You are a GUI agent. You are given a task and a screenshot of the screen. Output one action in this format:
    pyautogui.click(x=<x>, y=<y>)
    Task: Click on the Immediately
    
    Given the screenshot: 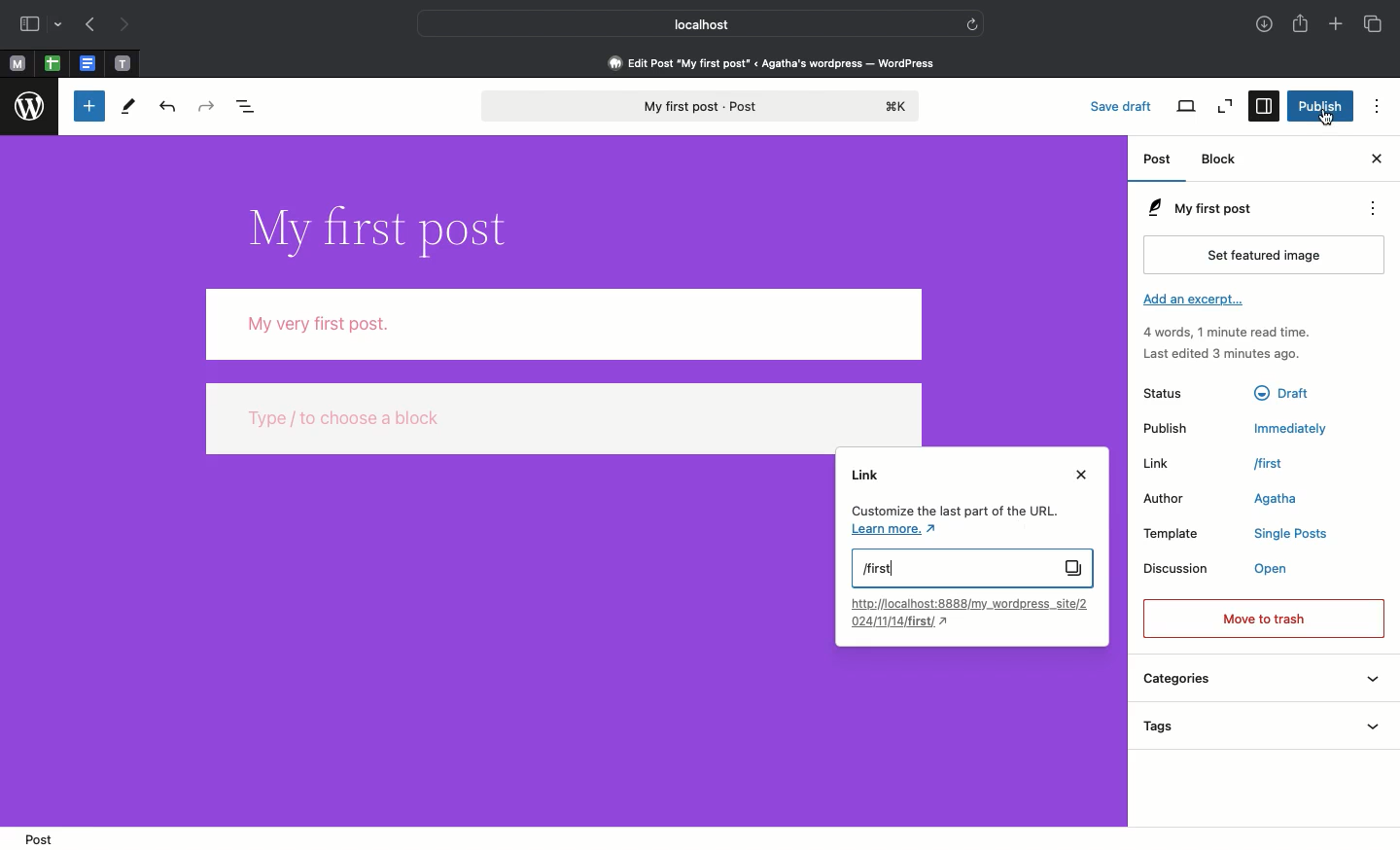 What is the action you would take?
    pyautogui.click(x=1293, y=427)
    